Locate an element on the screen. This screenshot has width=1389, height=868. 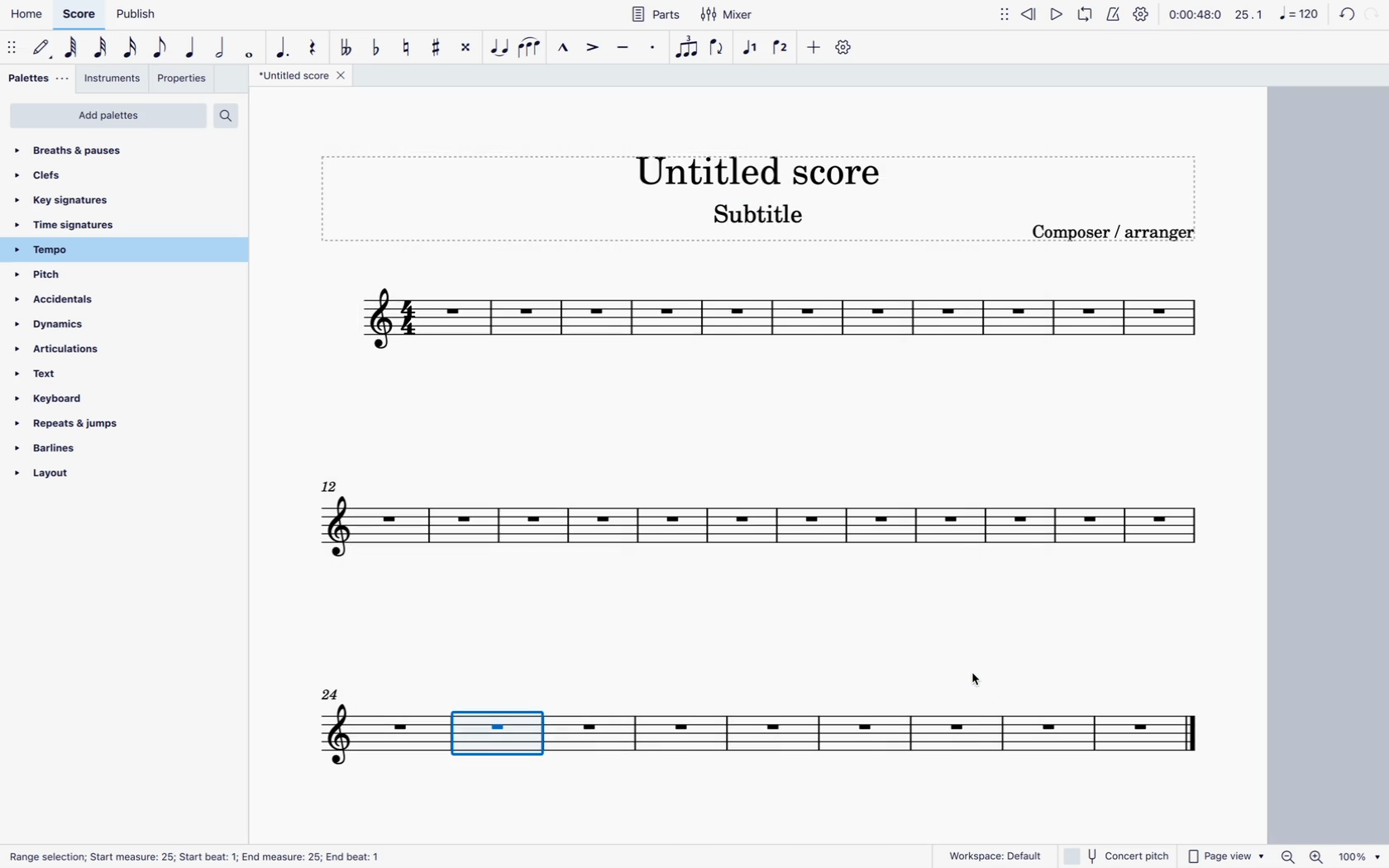
new space between systems is located at coordinates (501, 732).